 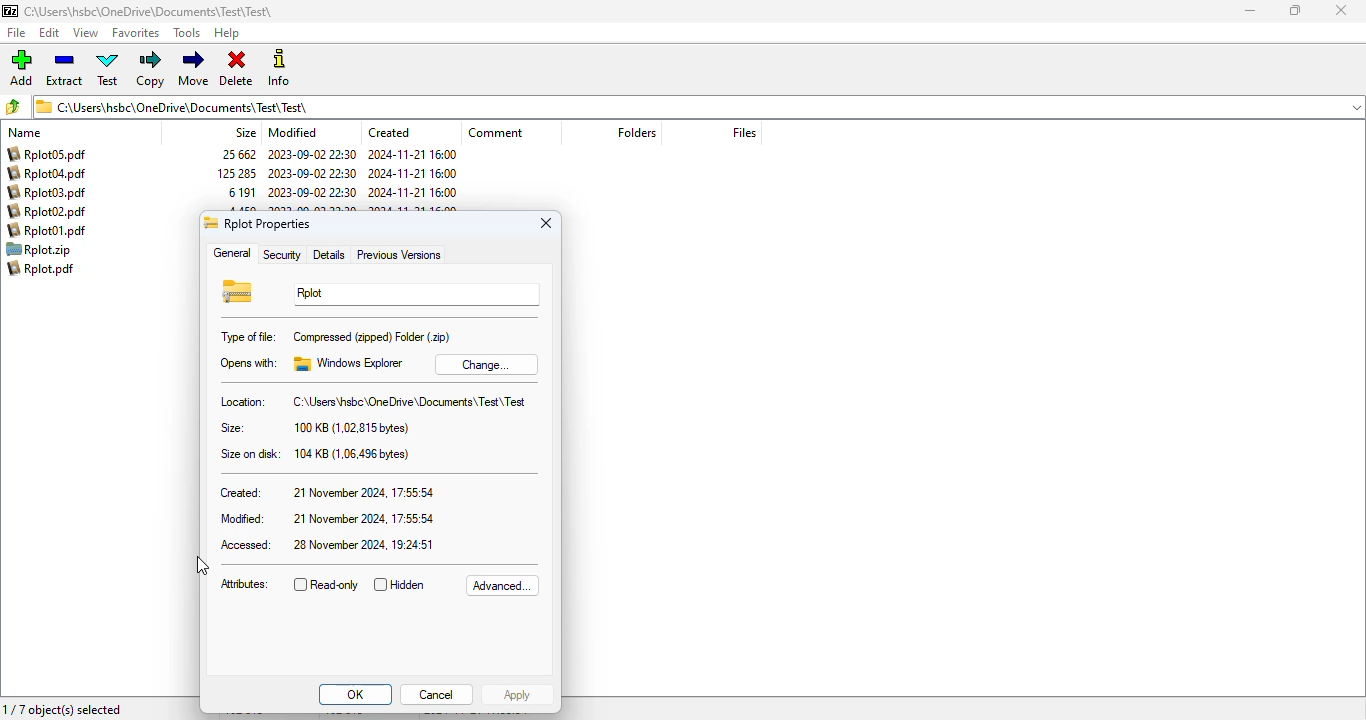 I want to click on close, so click(x=546, y=223).